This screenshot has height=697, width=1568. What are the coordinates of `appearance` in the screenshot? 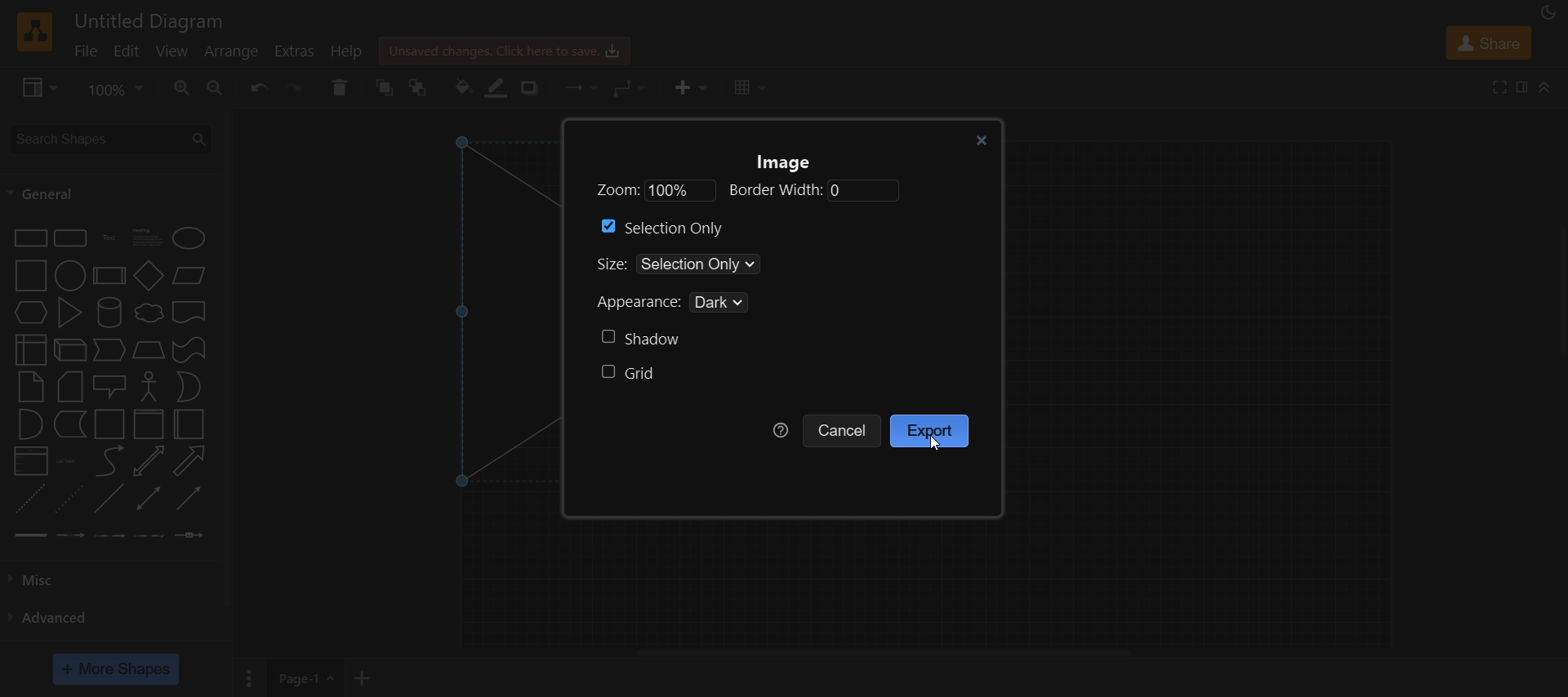 It's located at (686, 304).